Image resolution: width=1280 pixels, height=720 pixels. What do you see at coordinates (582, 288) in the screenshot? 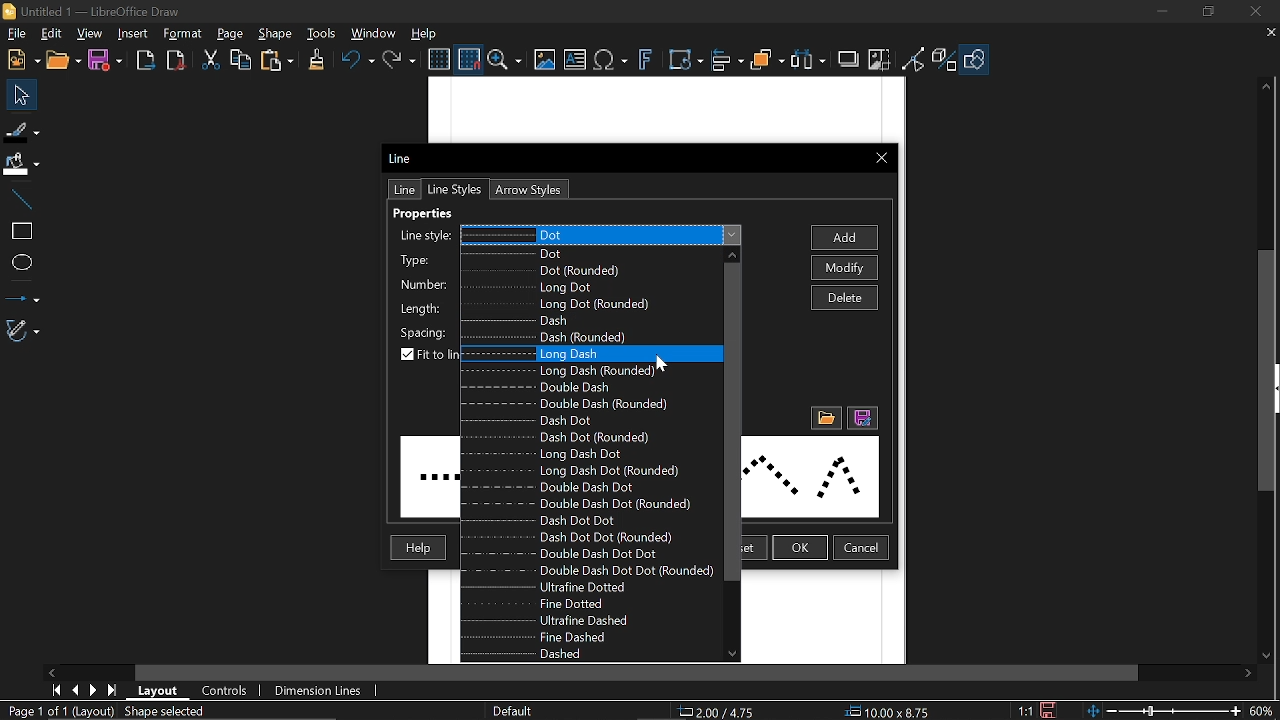
I see `Long dot` at bounding box center [582, 288].